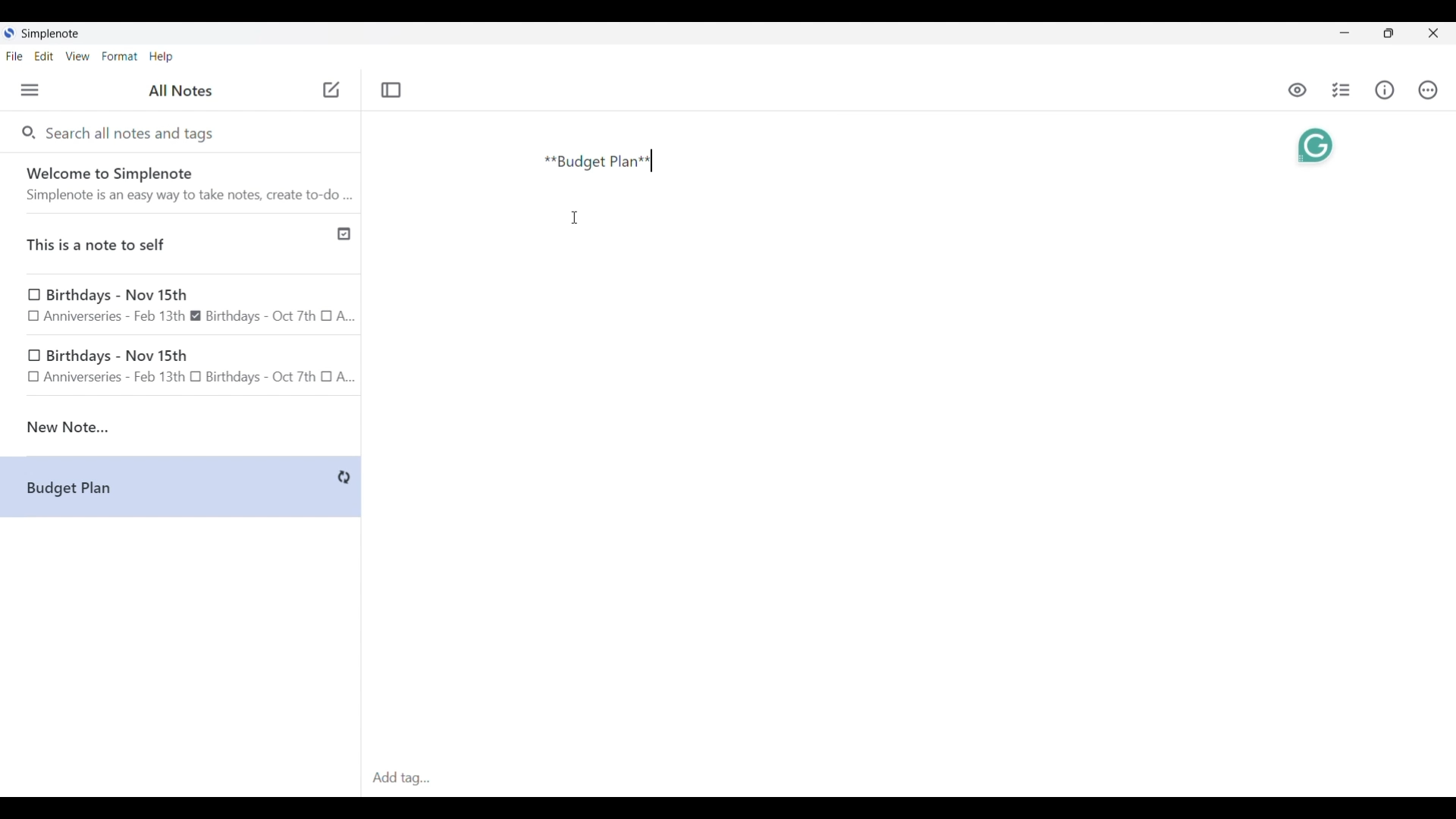  I want to click on Help menu, so click(161, 56).